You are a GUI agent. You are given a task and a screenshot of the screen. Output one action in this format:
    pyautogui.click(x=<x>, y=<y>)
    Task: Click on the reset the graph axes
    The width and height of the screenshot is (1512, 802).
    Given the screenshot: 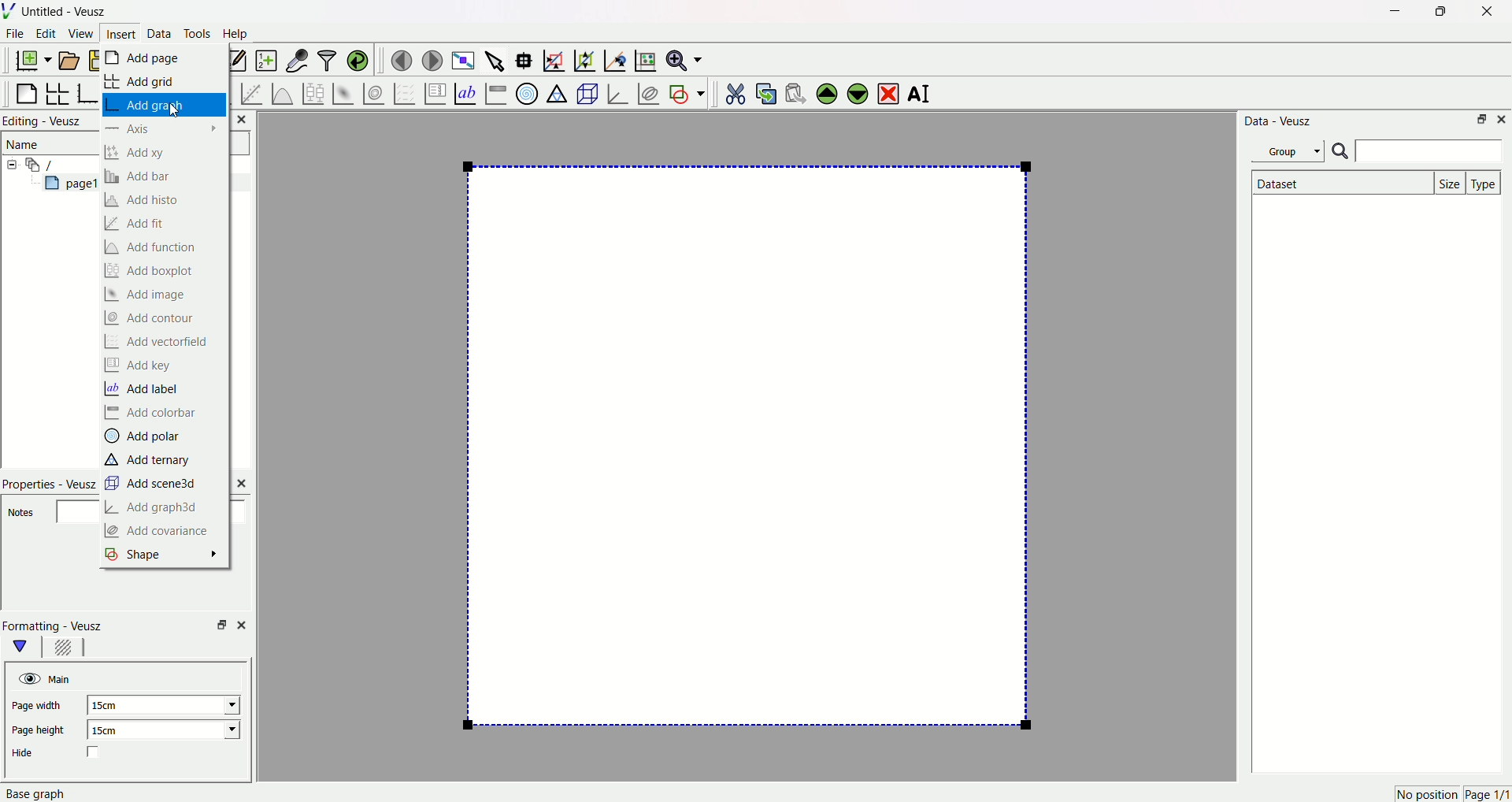 What is the action you would take?
    pyautogui.click(x=643, y=58)
    